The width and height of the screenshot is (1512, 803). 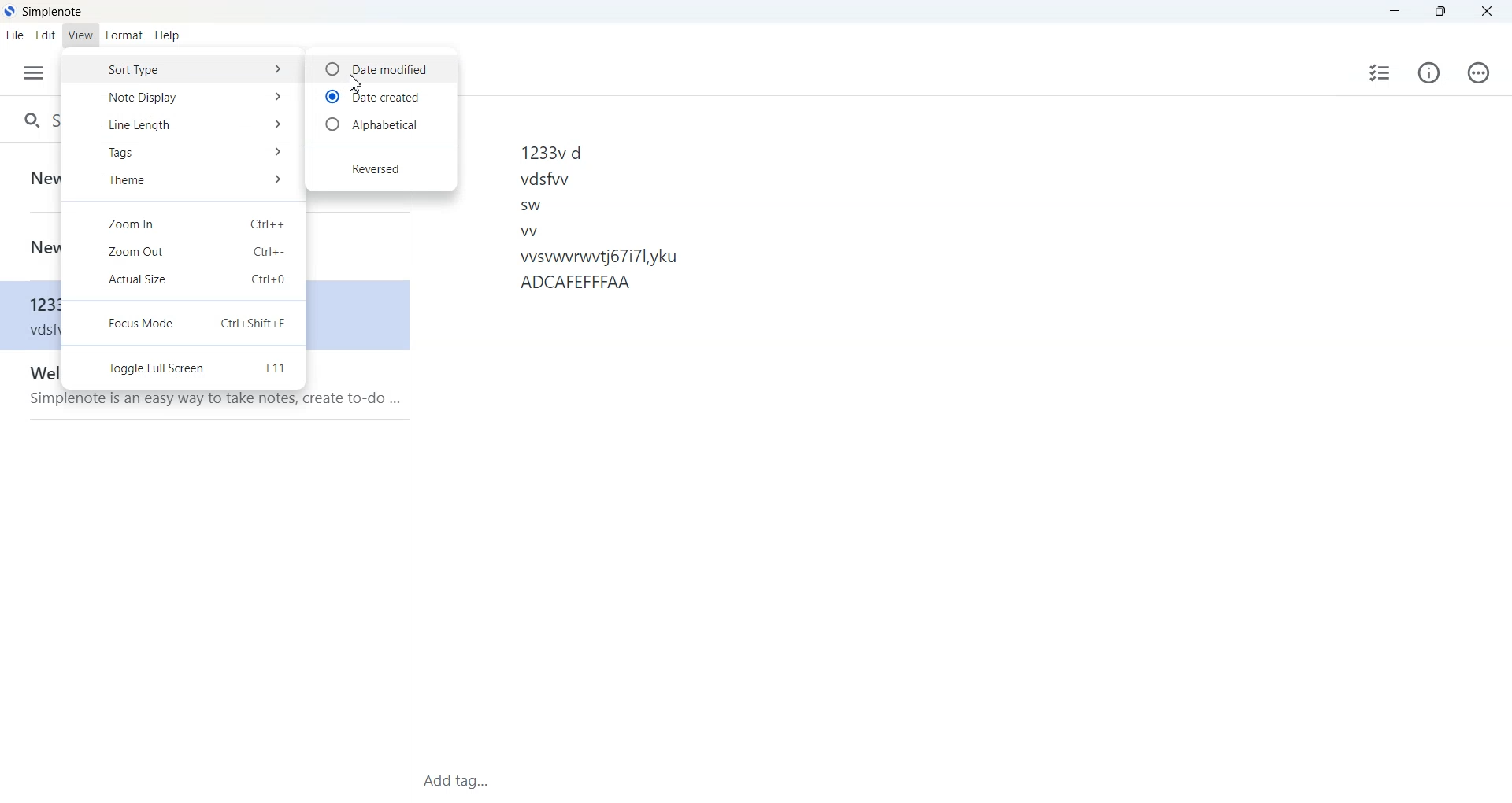 What do you see at coordinates (380, 168) in the screenshot?
I see `Reversed` at bounding box center [380, 168].